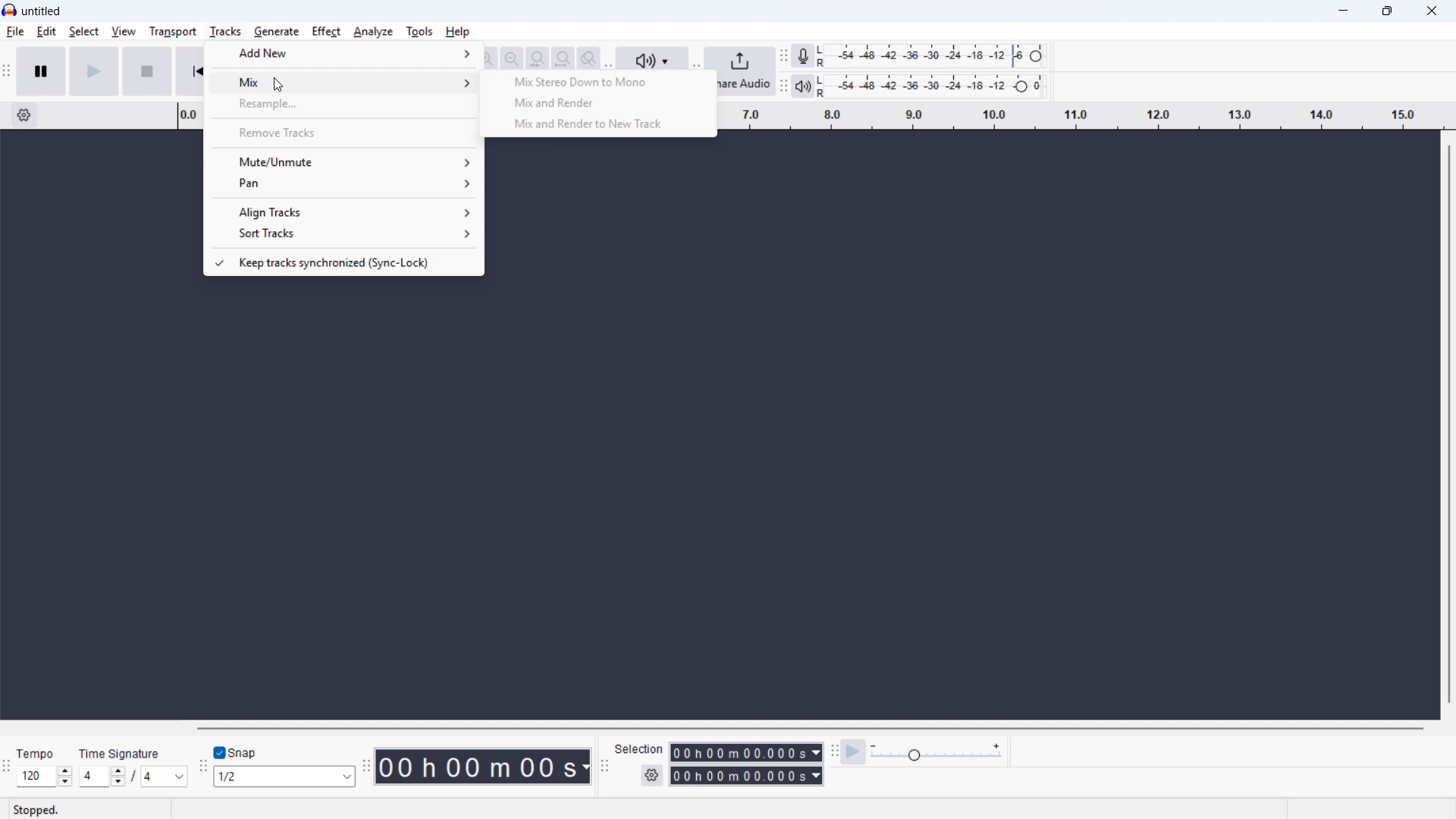 The height and width of the screenshot is (819, 1456). I want to click on view , so click(124, 32).